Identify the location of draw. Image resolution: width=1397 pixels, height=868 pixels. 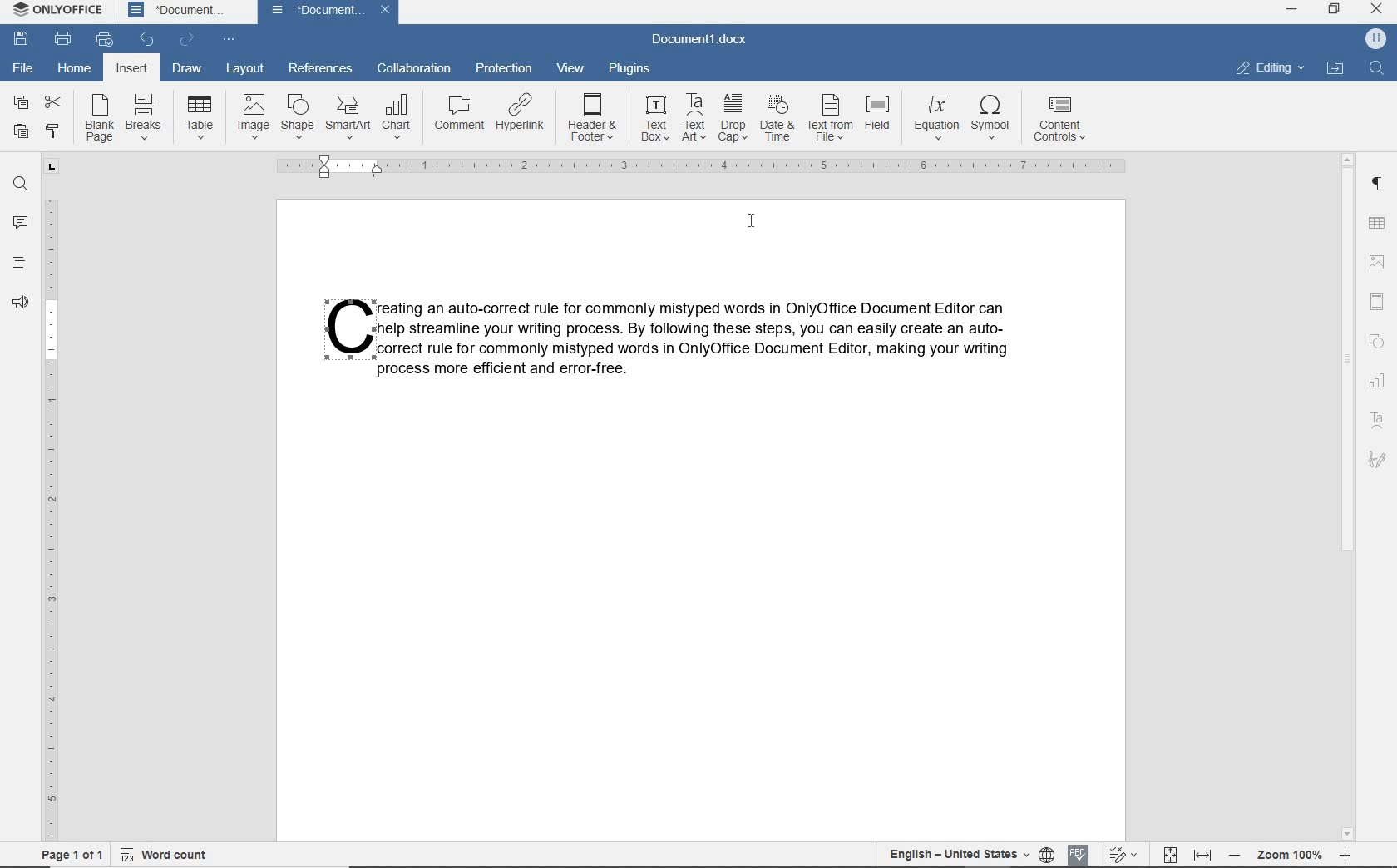
(187, 70).